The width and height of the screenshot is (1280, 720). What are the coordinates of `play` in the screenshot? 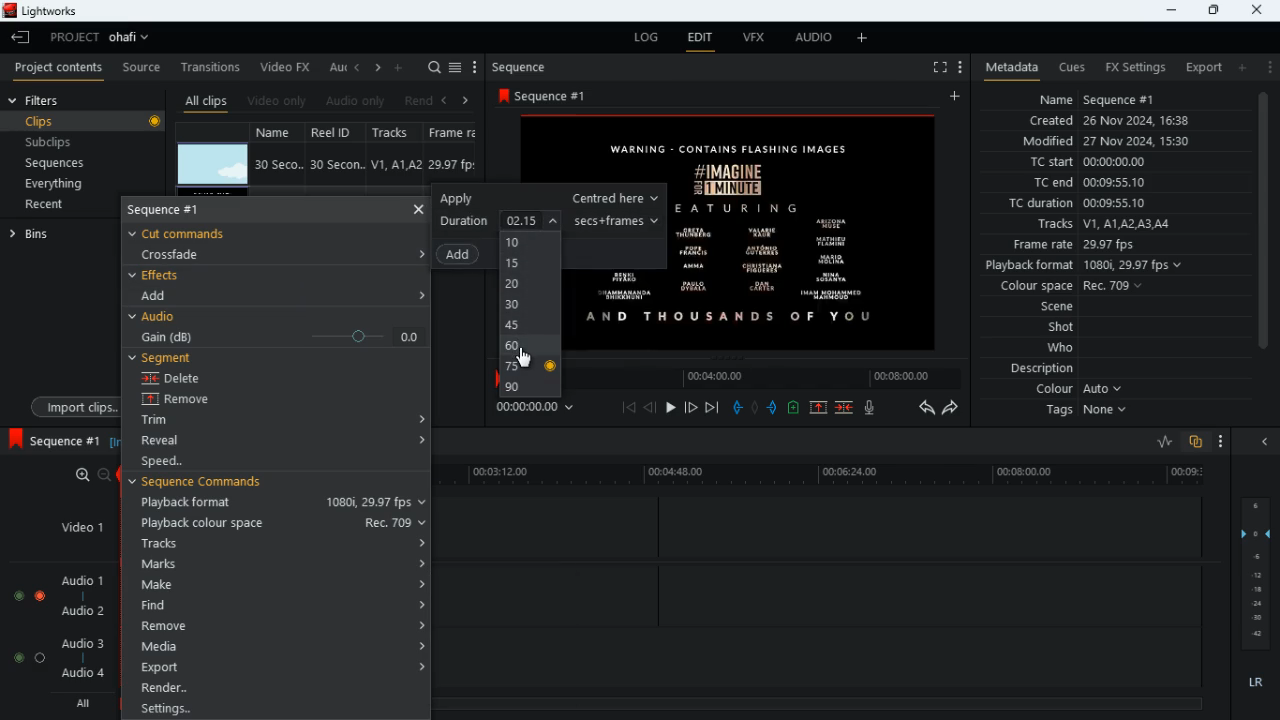 It's located at (670, 409).